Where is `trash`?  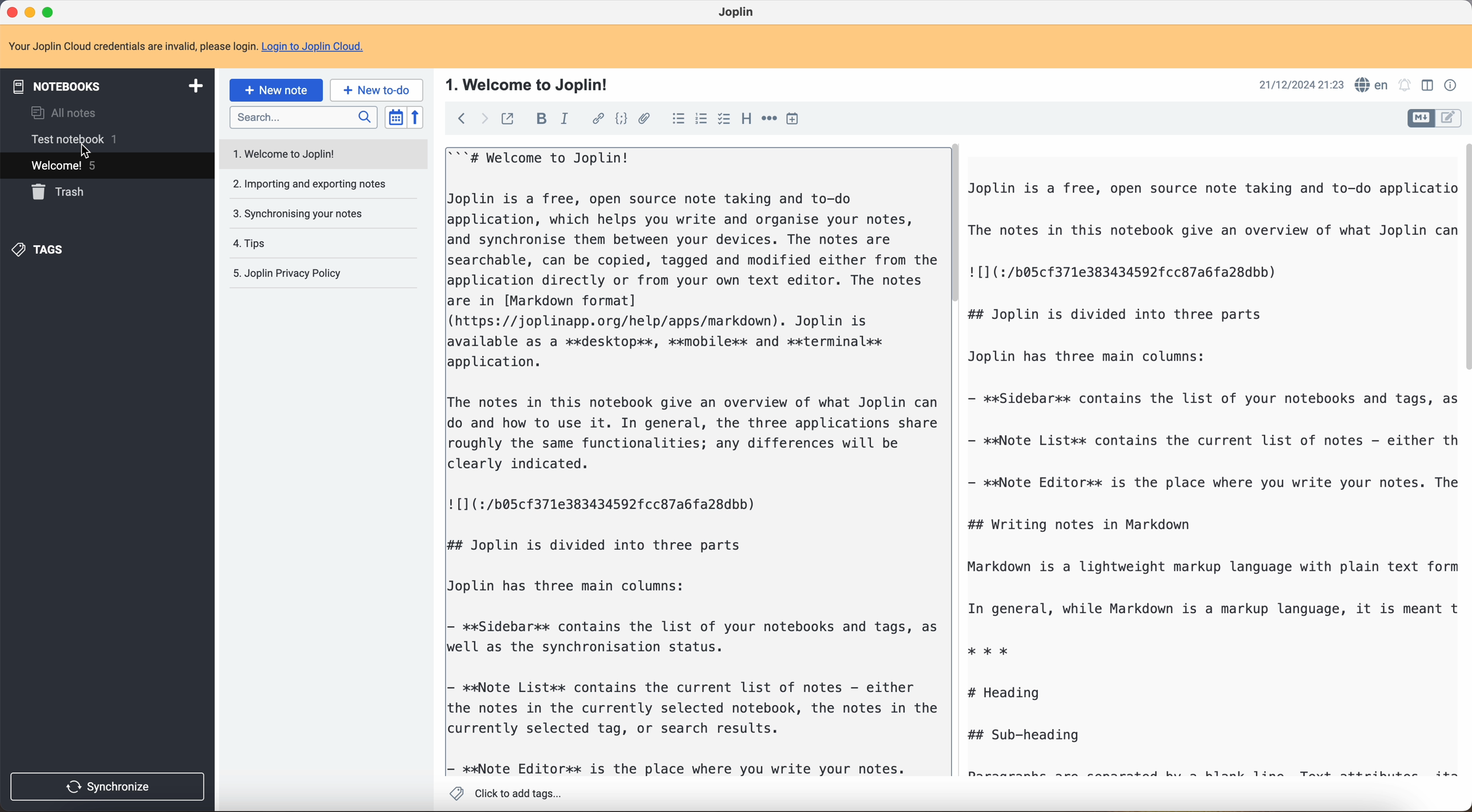
trash is located at coordinates (59, 193).